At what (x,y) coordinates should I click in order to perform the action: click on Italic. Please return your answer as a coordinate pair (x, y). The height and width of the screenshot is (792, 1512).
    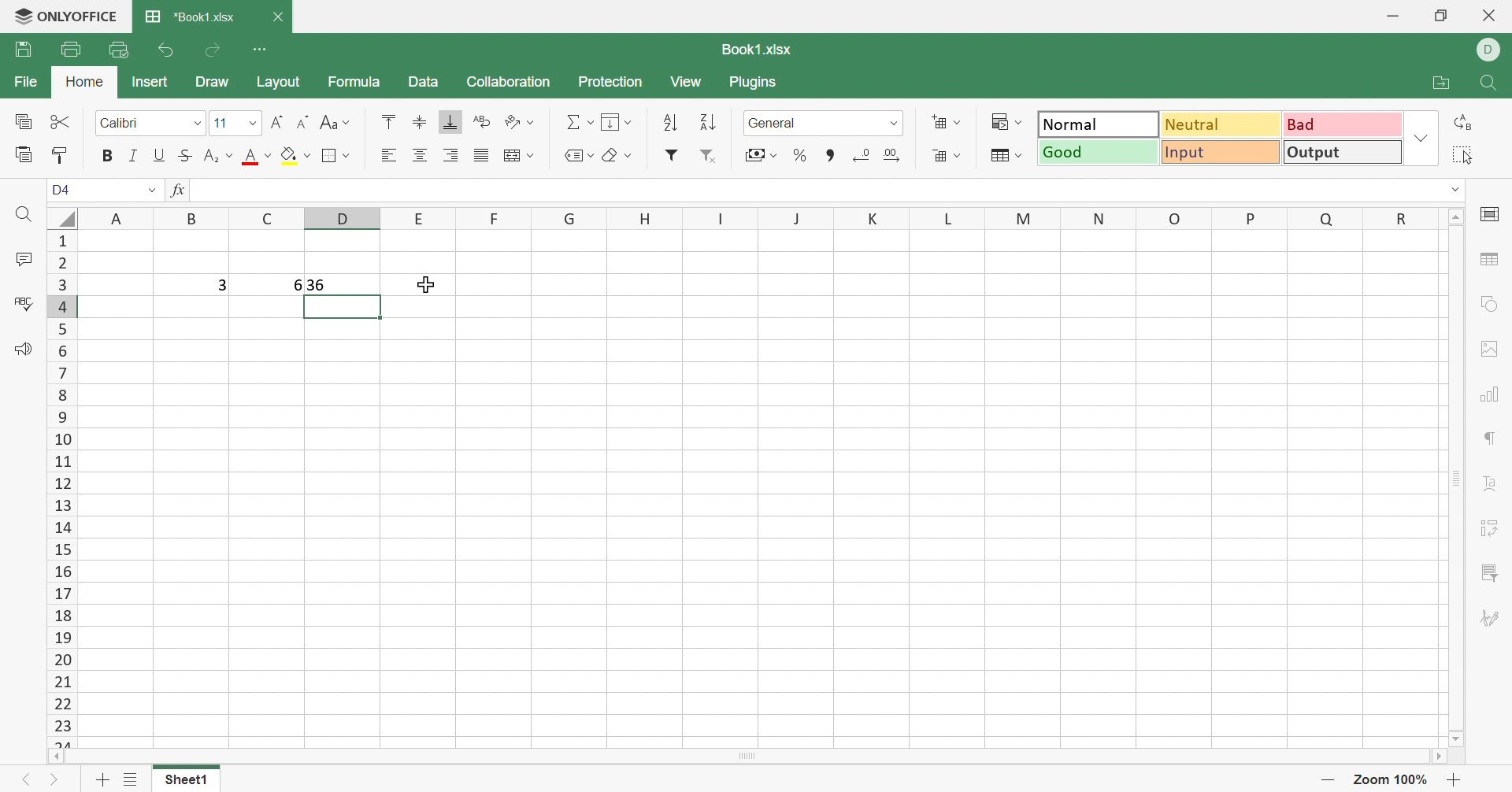
    Looking at the image, I should click on (135, 157).